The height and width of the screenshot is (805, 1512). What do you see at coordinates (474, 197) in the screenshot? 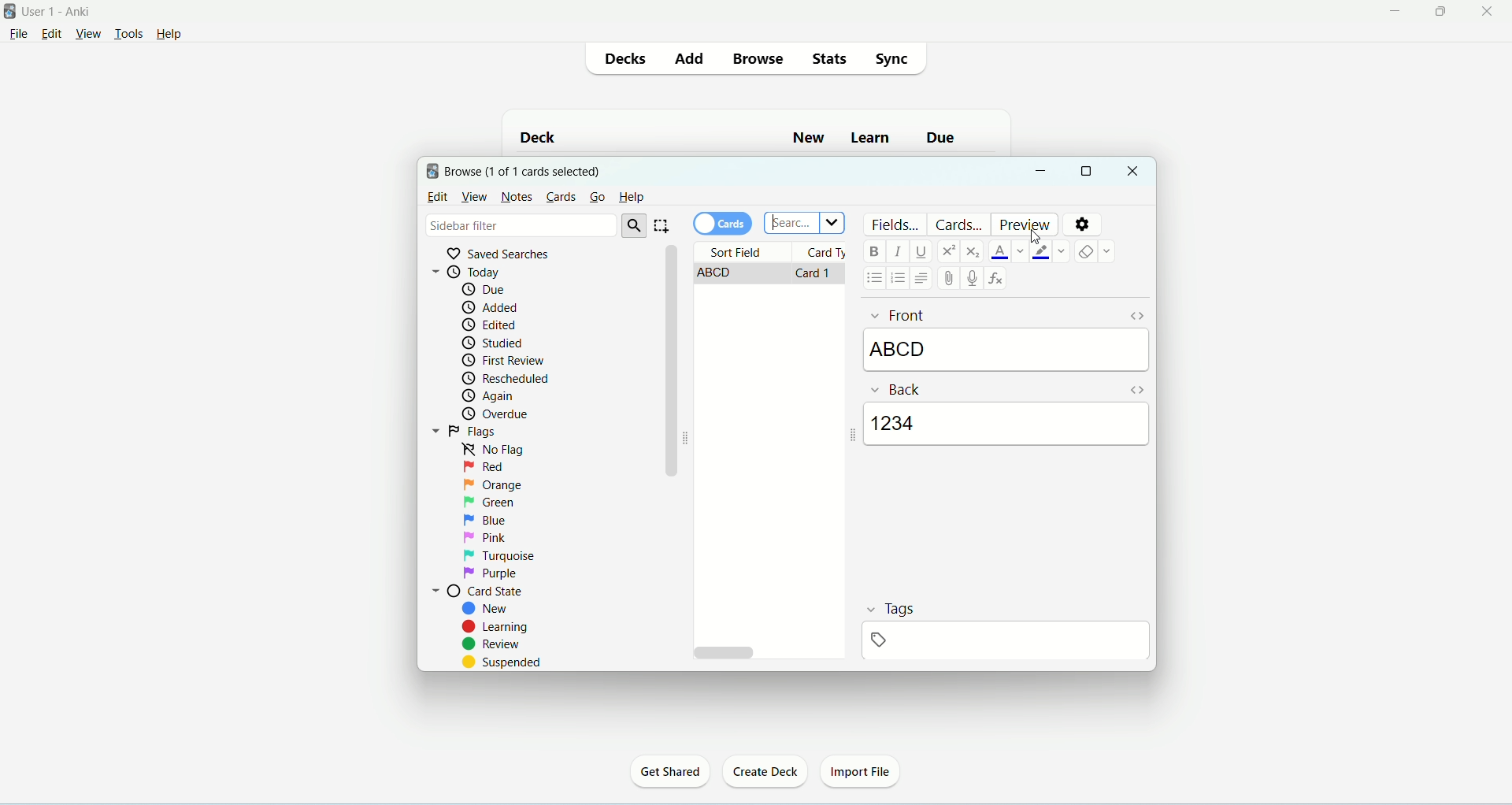
I see `view` at bounding box center [474, 197].